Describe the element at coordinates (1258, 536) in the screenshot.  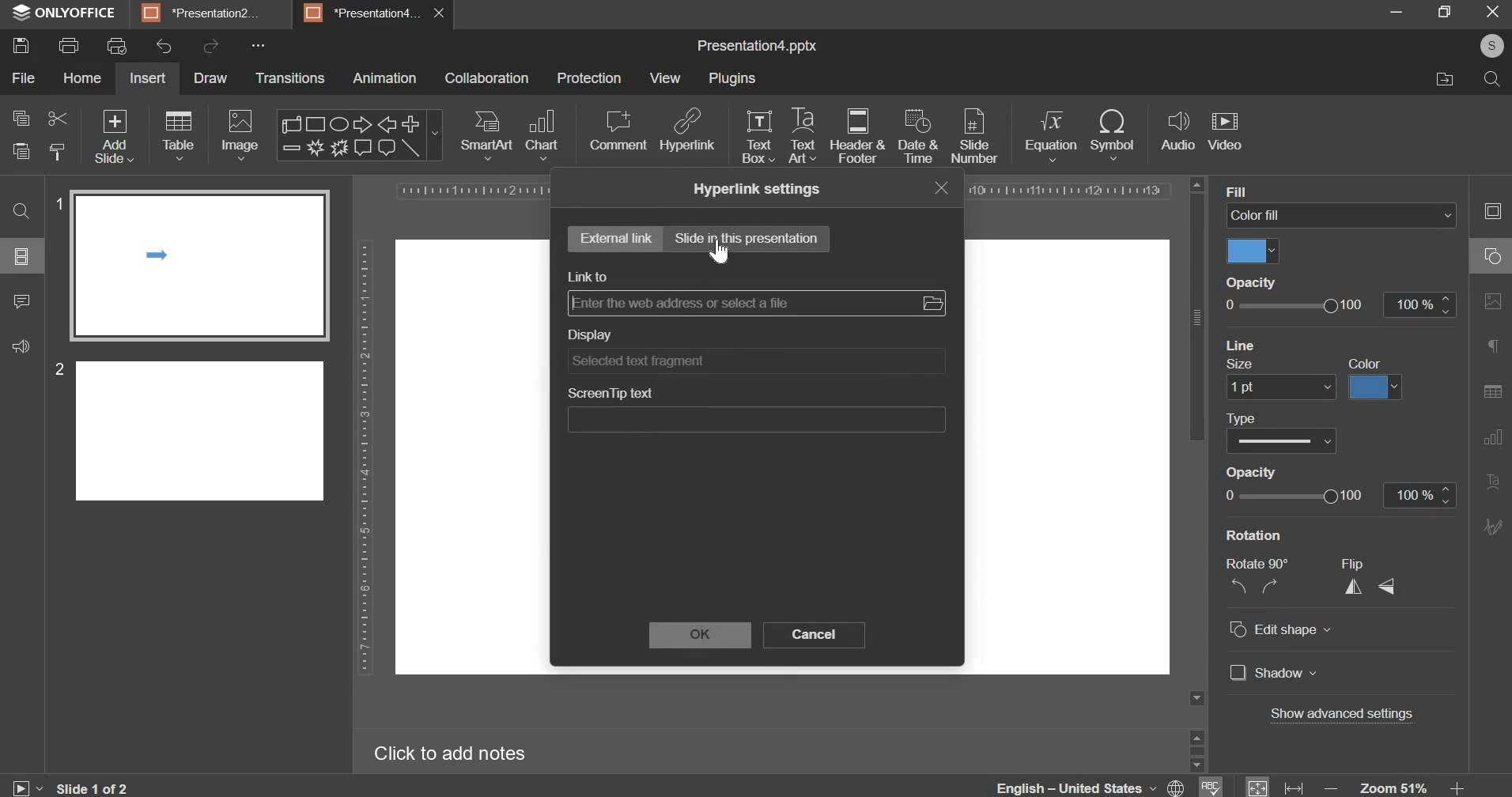
I see `Rotation` at that location.